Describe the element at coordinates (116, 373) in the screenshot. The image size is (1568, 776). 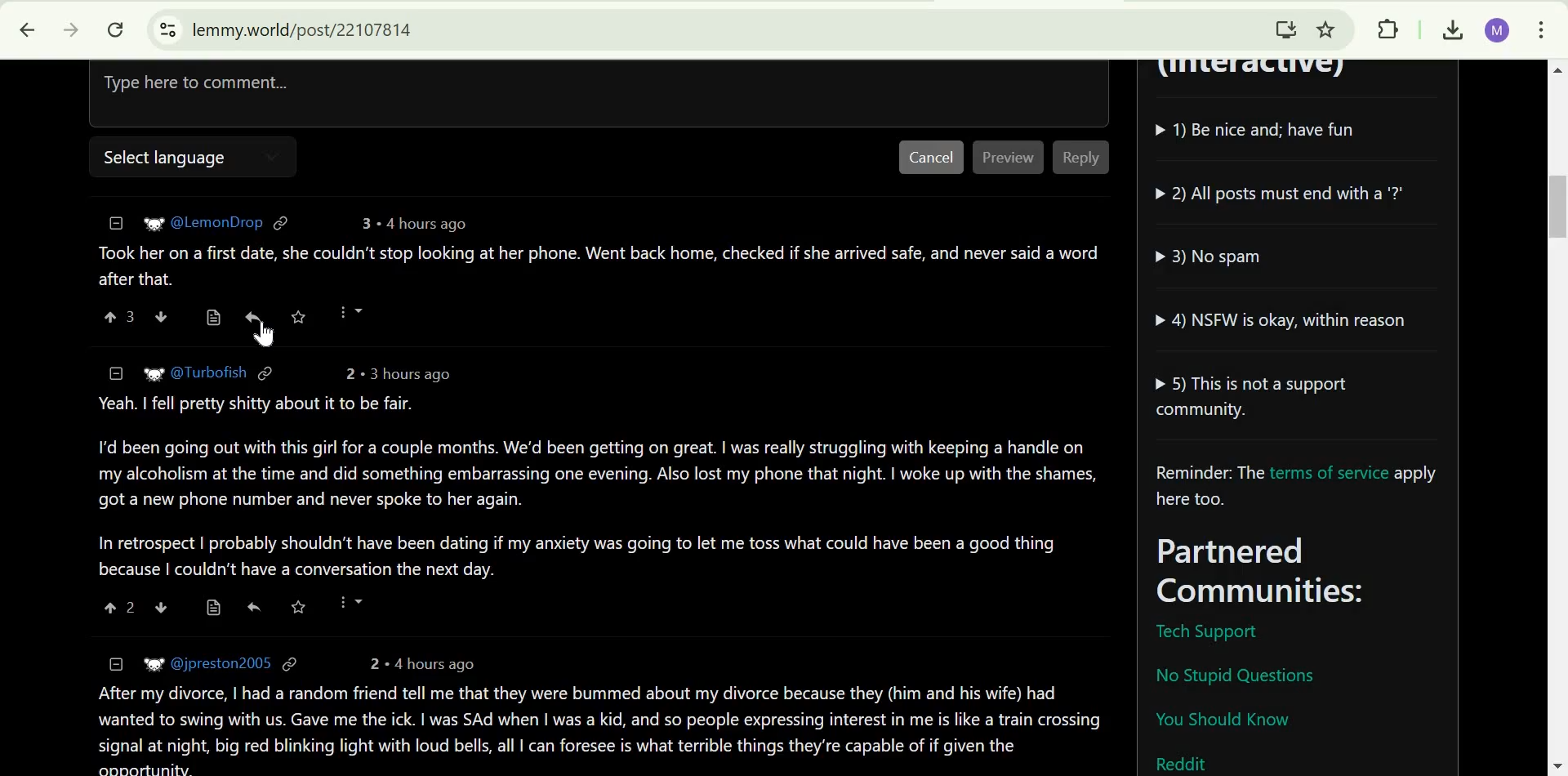
I see `collapse` at that location.